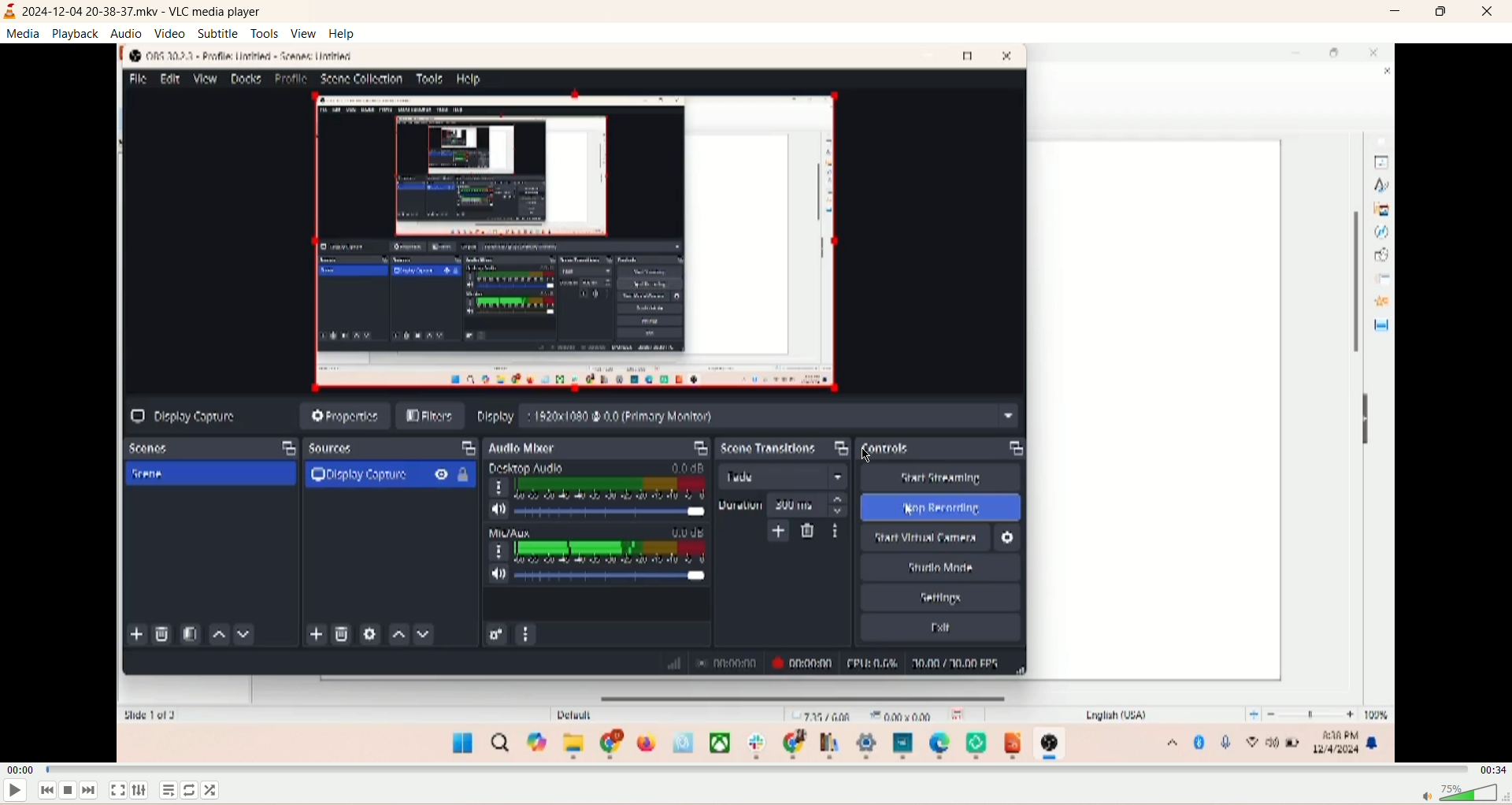 The height and width of the screenshot is (805, 1512). Describe the element at coordinates (91, 790) in the screenshot. I see `next` at that location.